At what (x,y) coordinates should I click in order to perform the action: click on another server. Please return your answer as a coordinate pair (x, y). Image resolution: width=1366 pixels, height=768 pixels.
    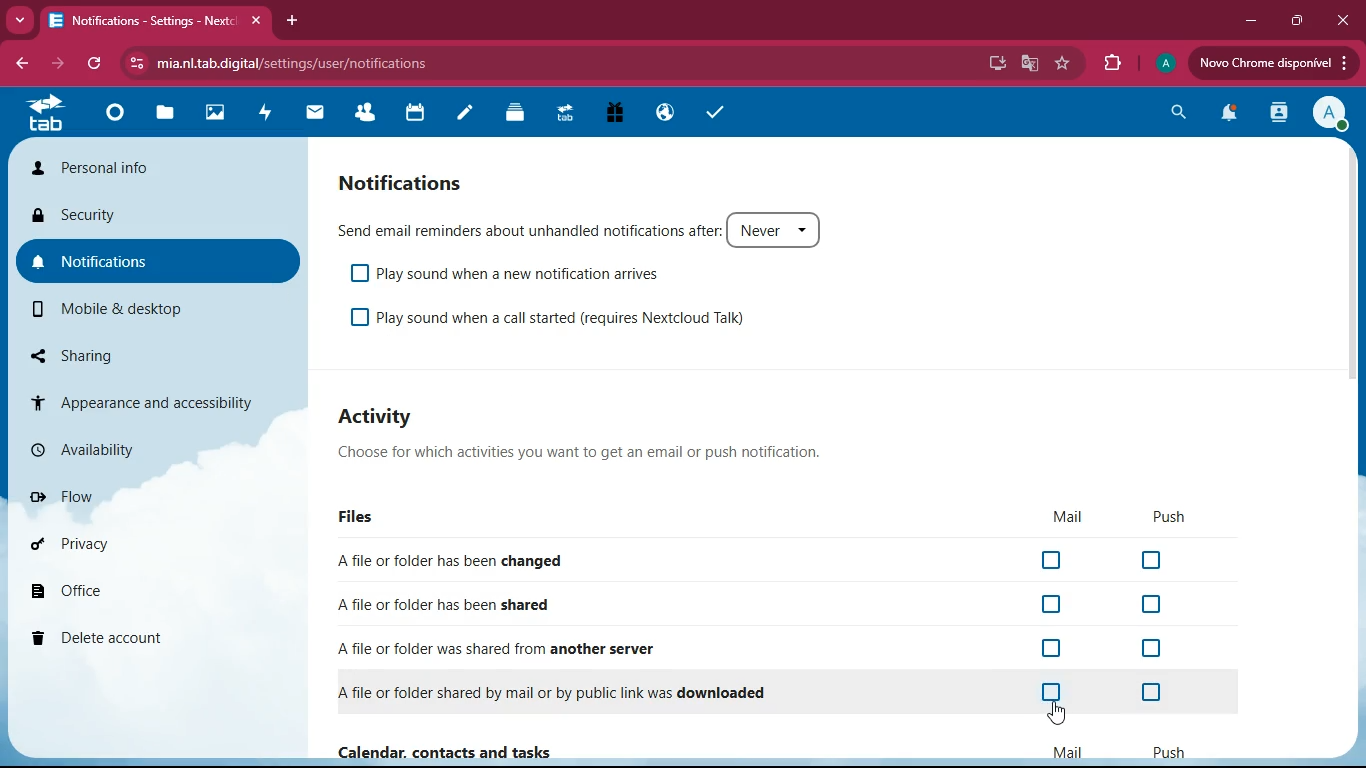
    Looking at the image, I should click on (511, 645).